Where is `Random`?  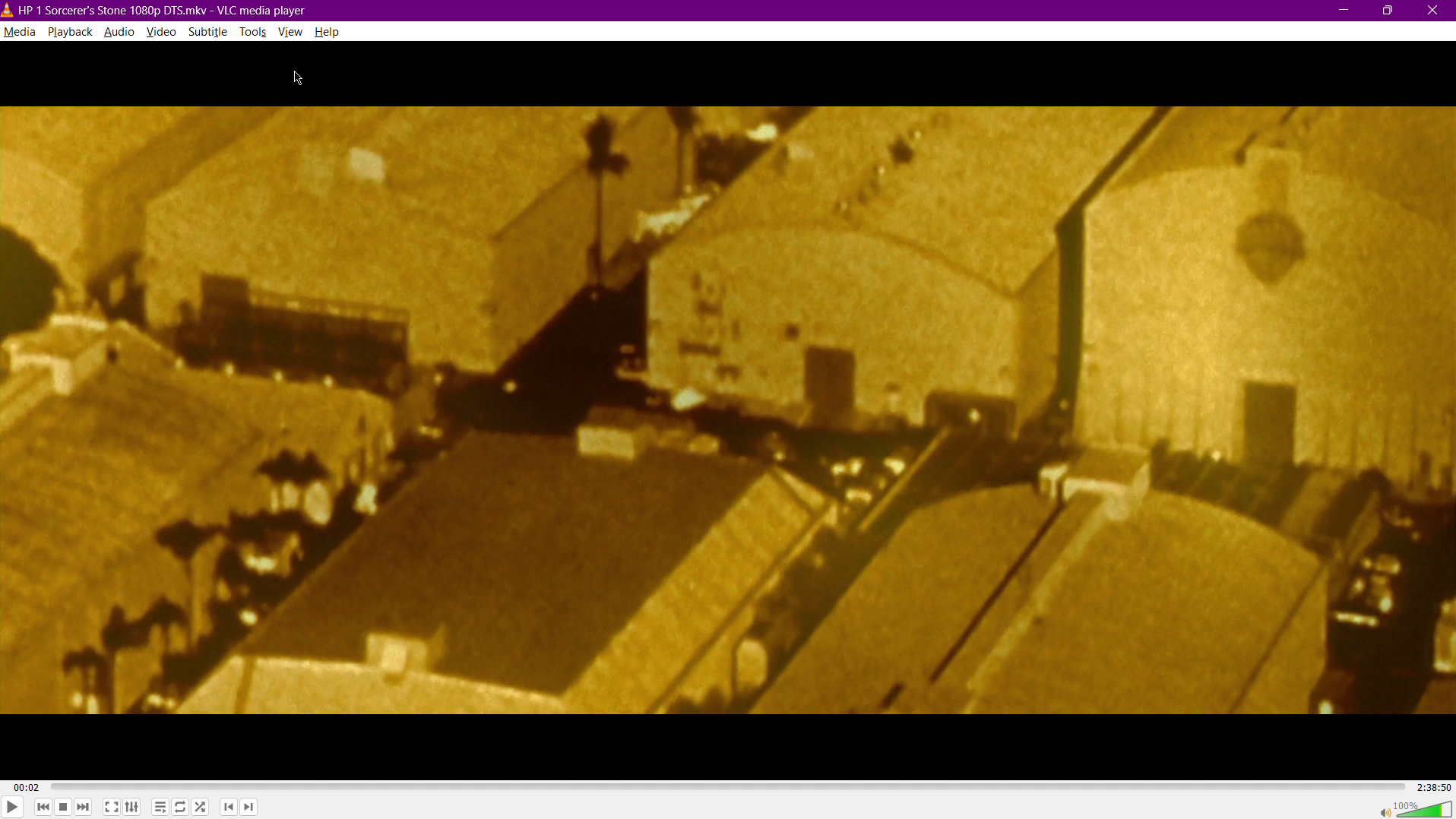
Random is located at coordinates (201, 808).